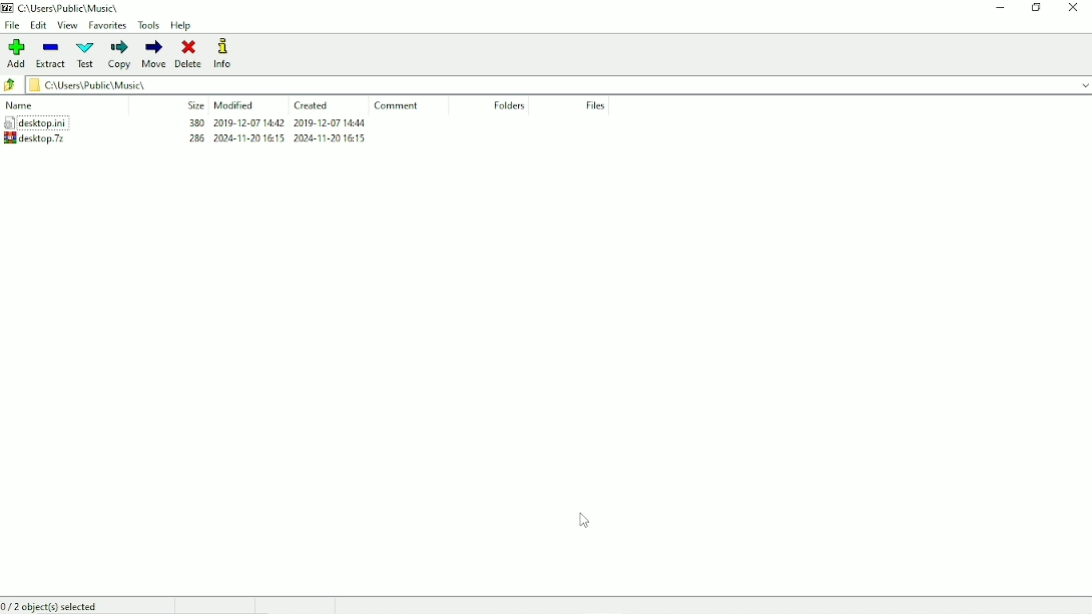 This screenshot has width=1092, height=614. What do you see at coordinates (399, 106) in the screenshot?
I see `Comment` at bounding box center [399, 106].